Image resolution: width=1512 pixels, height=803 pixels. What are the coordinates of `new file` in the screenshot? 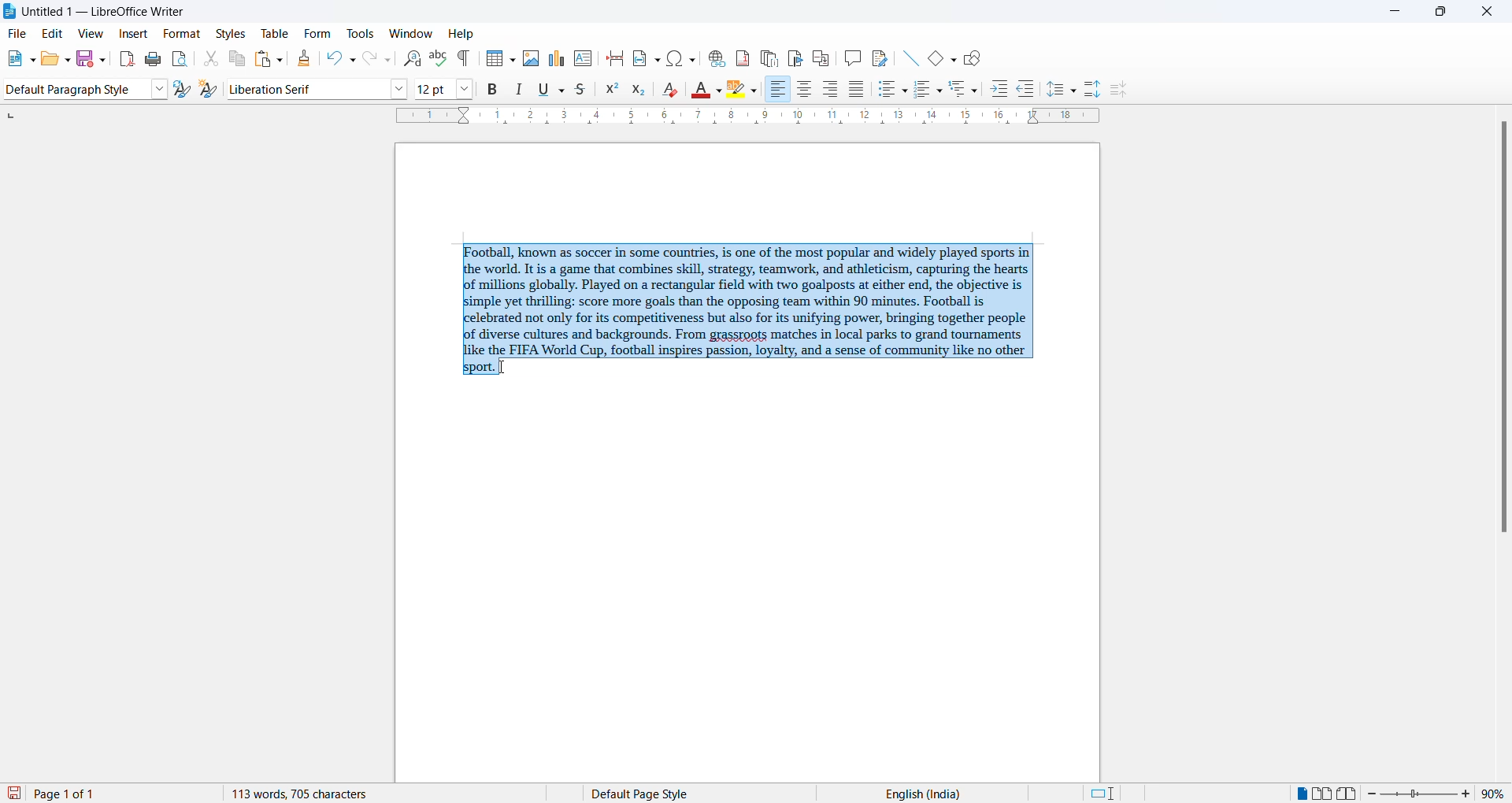 It's located at (11, 60).